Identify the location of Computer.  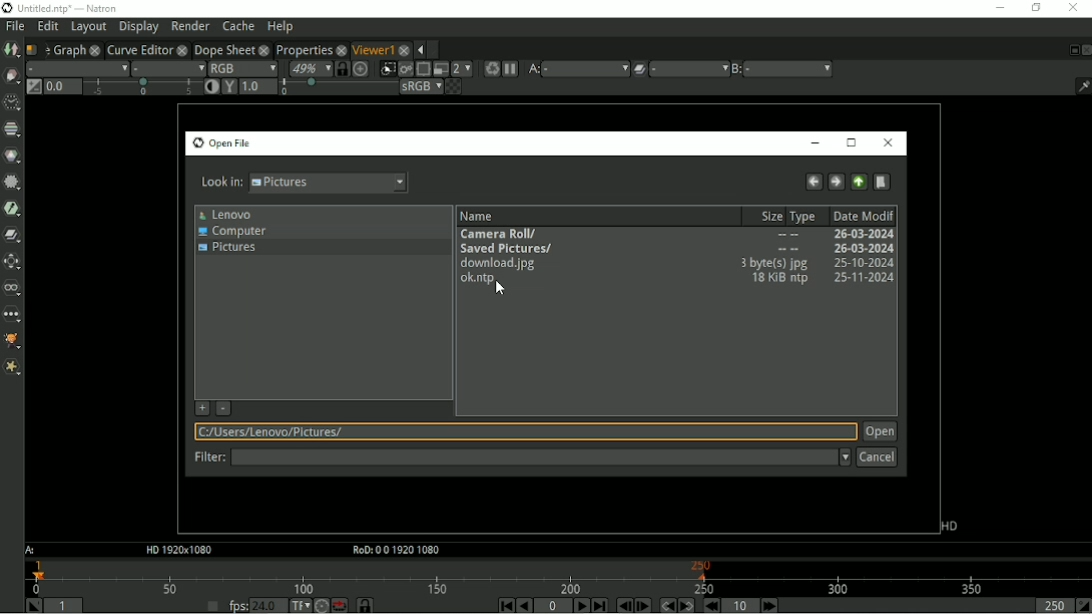
(233, 232).